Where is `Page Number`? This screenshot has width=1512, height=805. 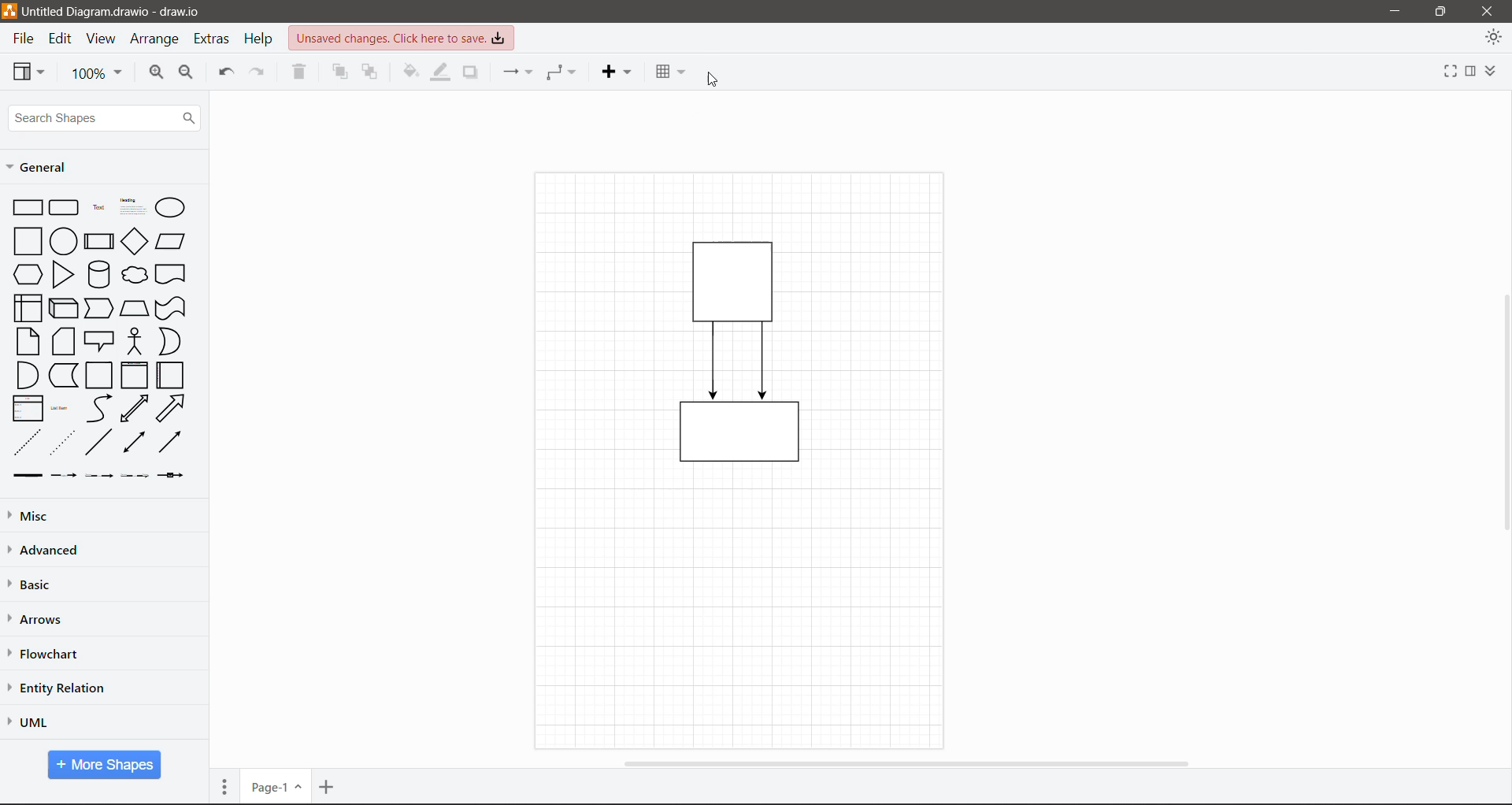 Page Number is located at coordinates (275, 787).